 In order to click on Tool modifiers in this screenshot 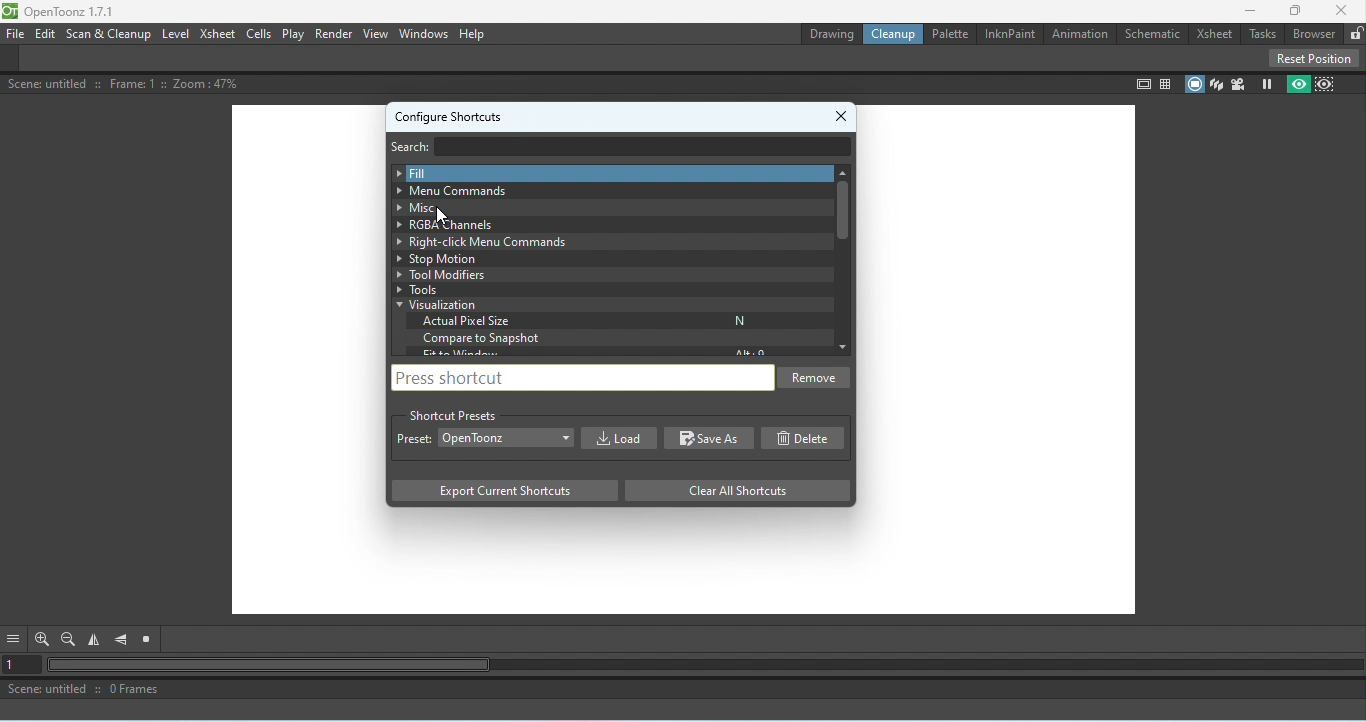, I will do `click(611, 276)`.